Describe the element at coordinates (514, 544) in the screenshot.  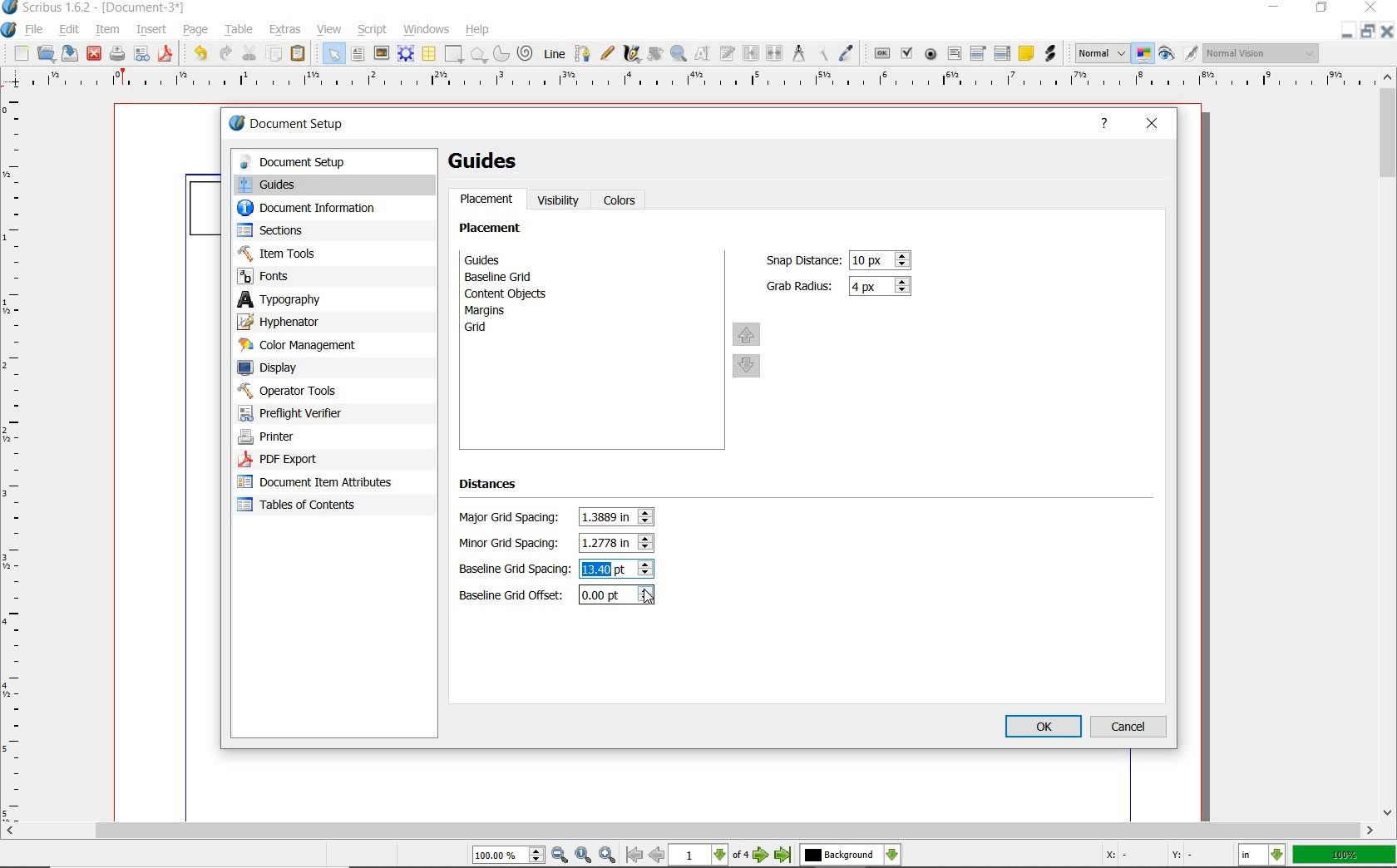
I see `Minor Grid Spacing:` at that location.